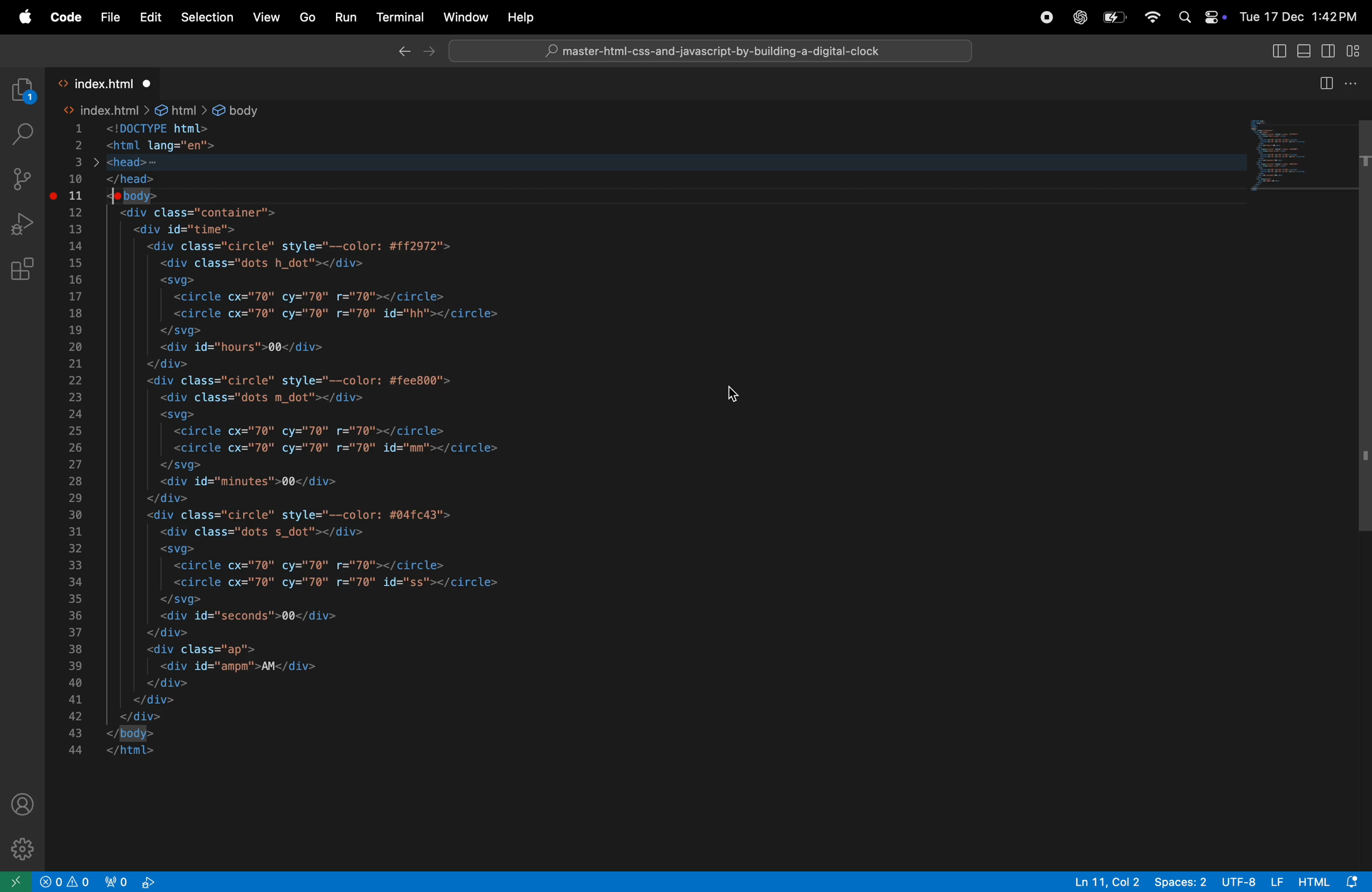 Image resolution: width=1372 pixels, height=892 pixels. Describe the element at coordinates (1296, 152) in the screenshot. I see `code block` at that location.